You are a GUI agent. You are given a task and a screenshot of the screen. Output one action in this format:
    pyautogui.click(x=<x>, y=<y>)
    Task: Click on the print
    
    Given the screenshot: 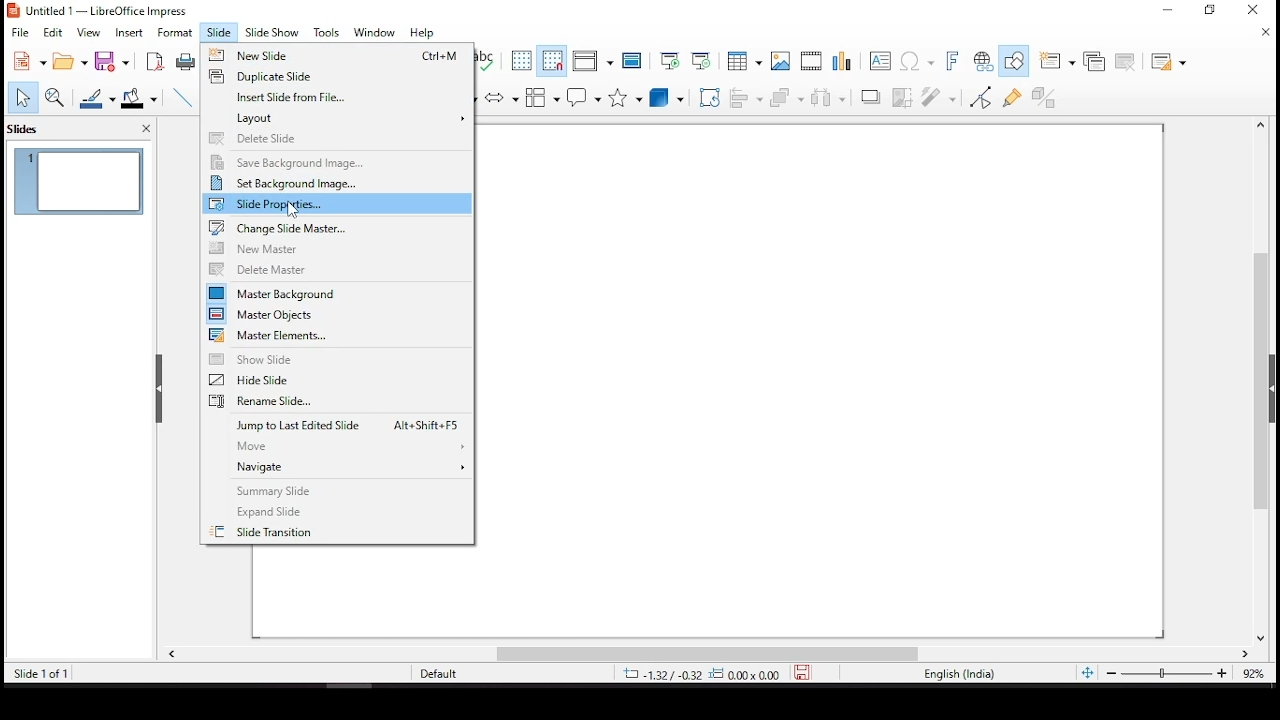 What is the action you would take?
    pyautogui.click(x=186, y=63)
    